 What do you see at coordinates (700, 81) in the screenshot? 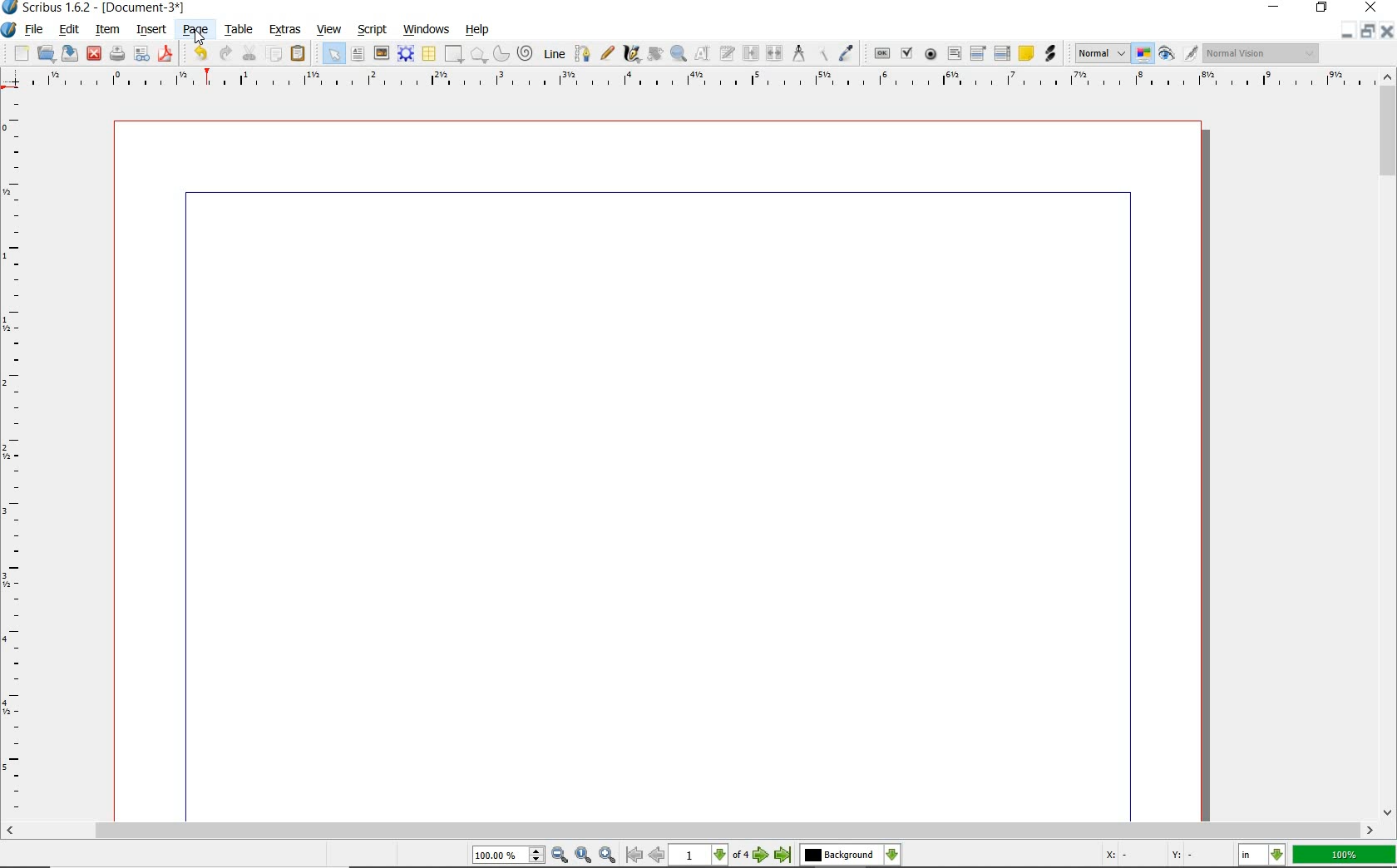
I see `Horizontal Margin` at bounding box center [700, 81].